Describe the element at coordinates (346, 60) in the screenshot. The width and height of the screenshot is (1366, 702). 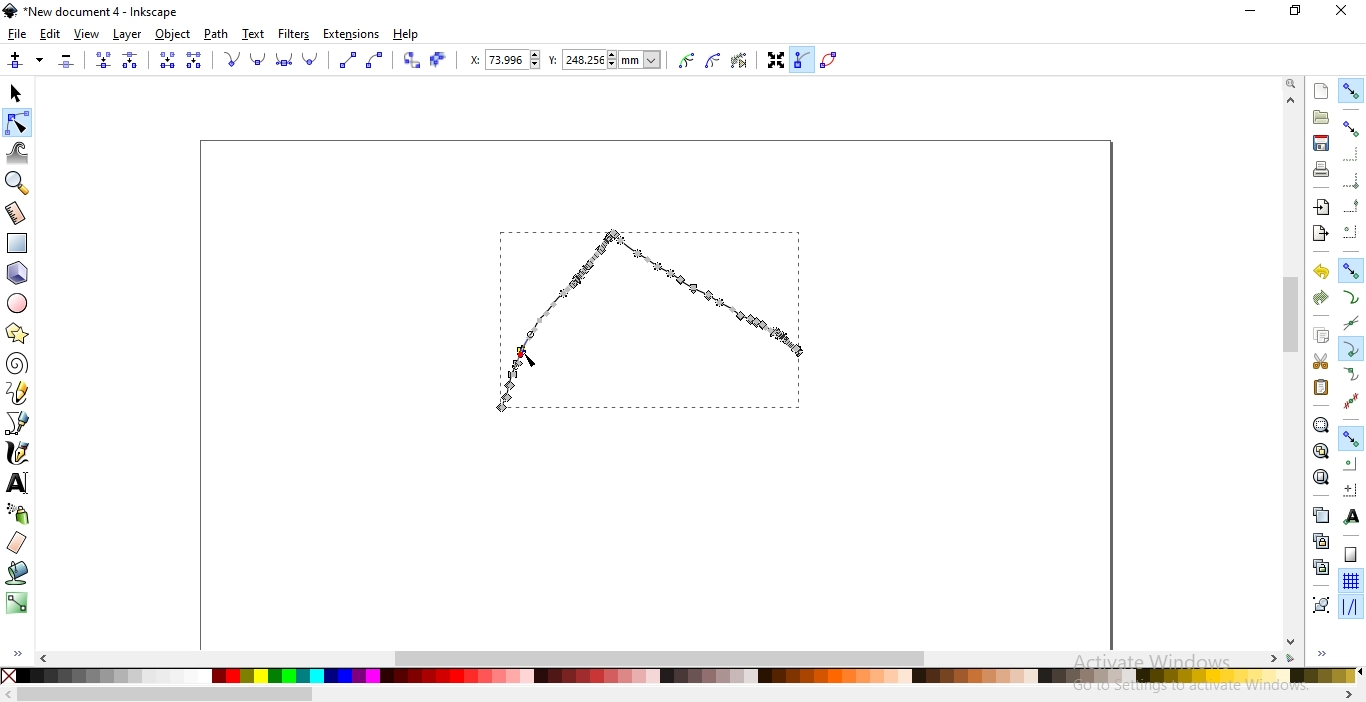
I see `make selected segments lines` at that location.